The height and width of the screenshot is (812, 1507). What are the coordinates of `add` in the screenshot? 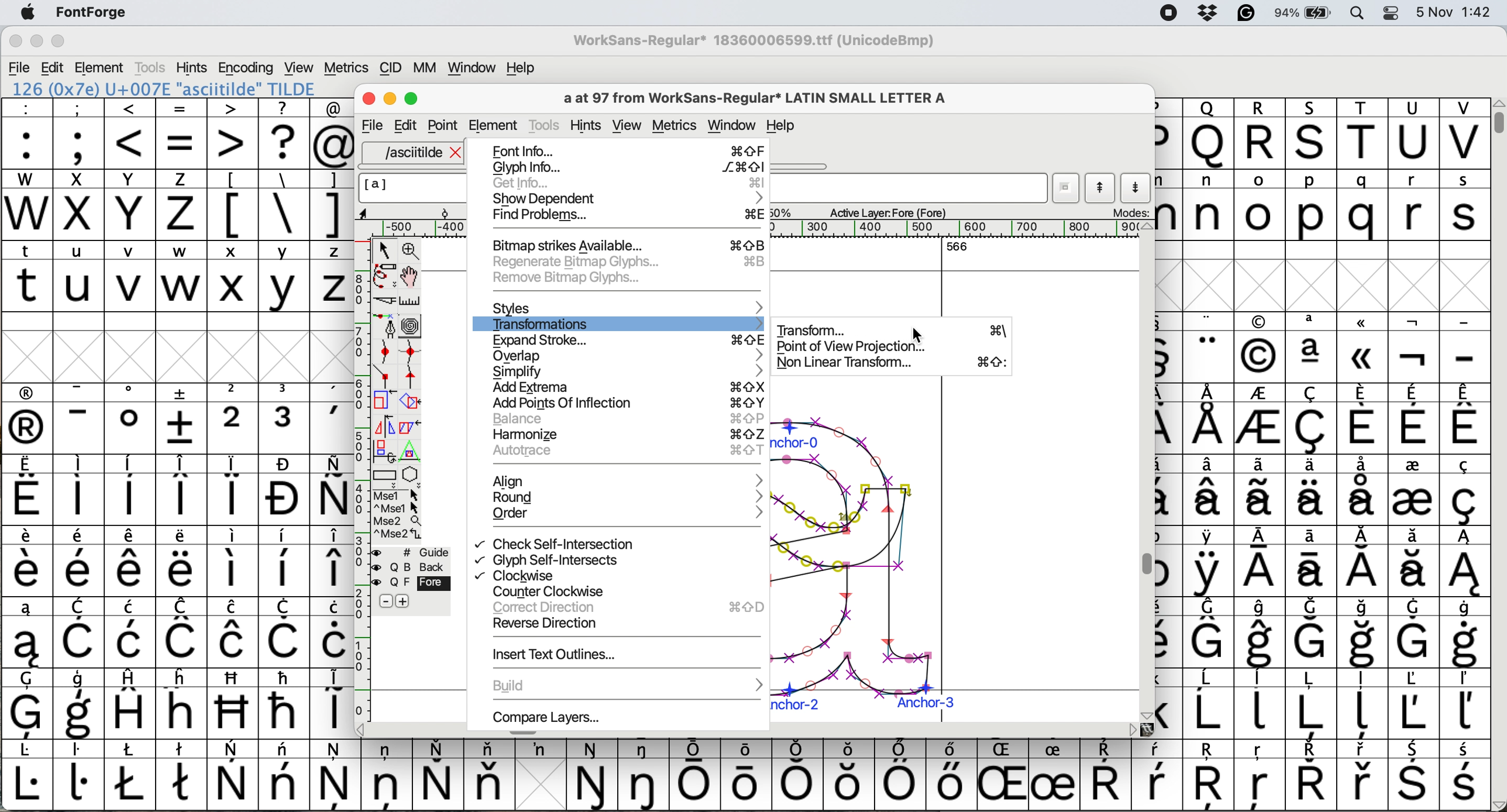 It's located at (404, 601).